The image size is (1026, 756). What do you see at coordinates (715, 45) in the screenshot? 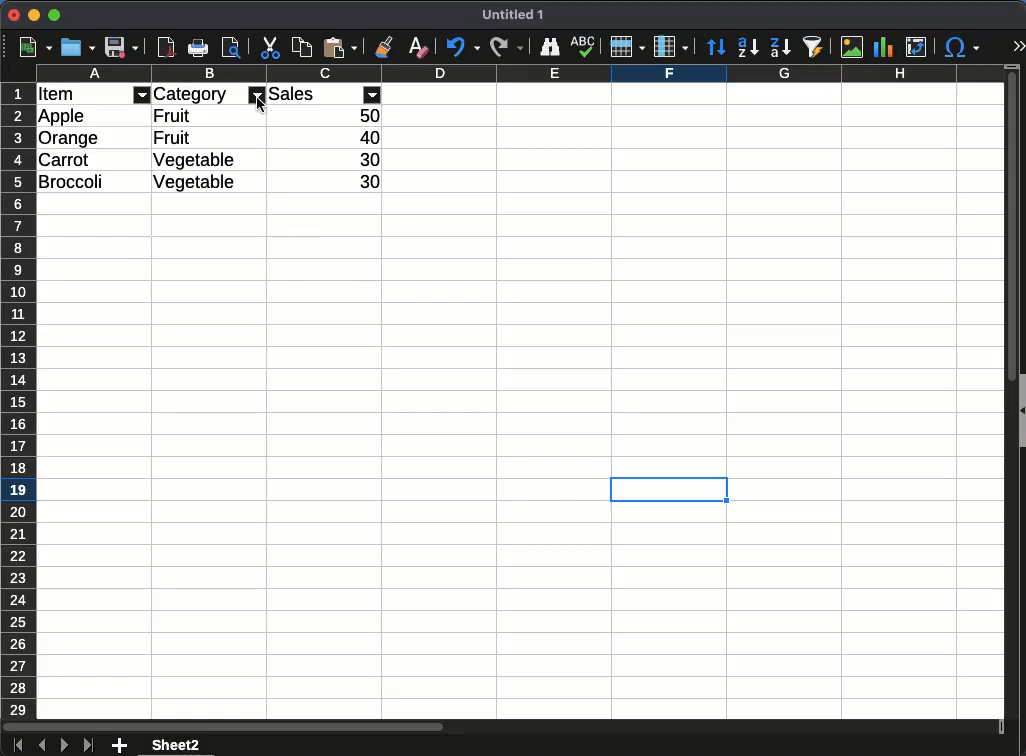
I see `sort` at bounding box center [715, 45].